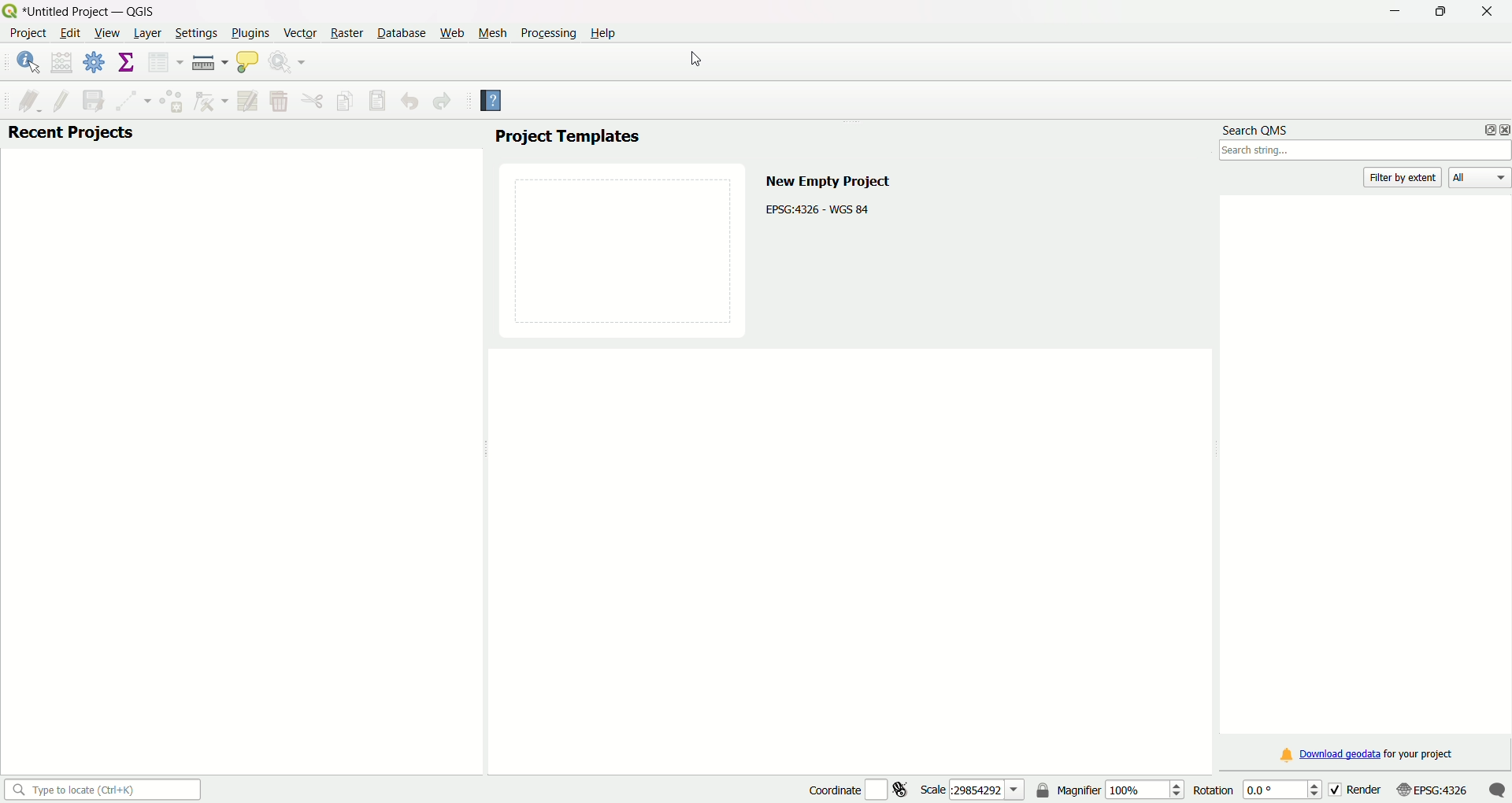 The image size is (1512, 803). Describe the element at coordinates (163, 63) in the screenshot. I see `open attribute table` at that location.